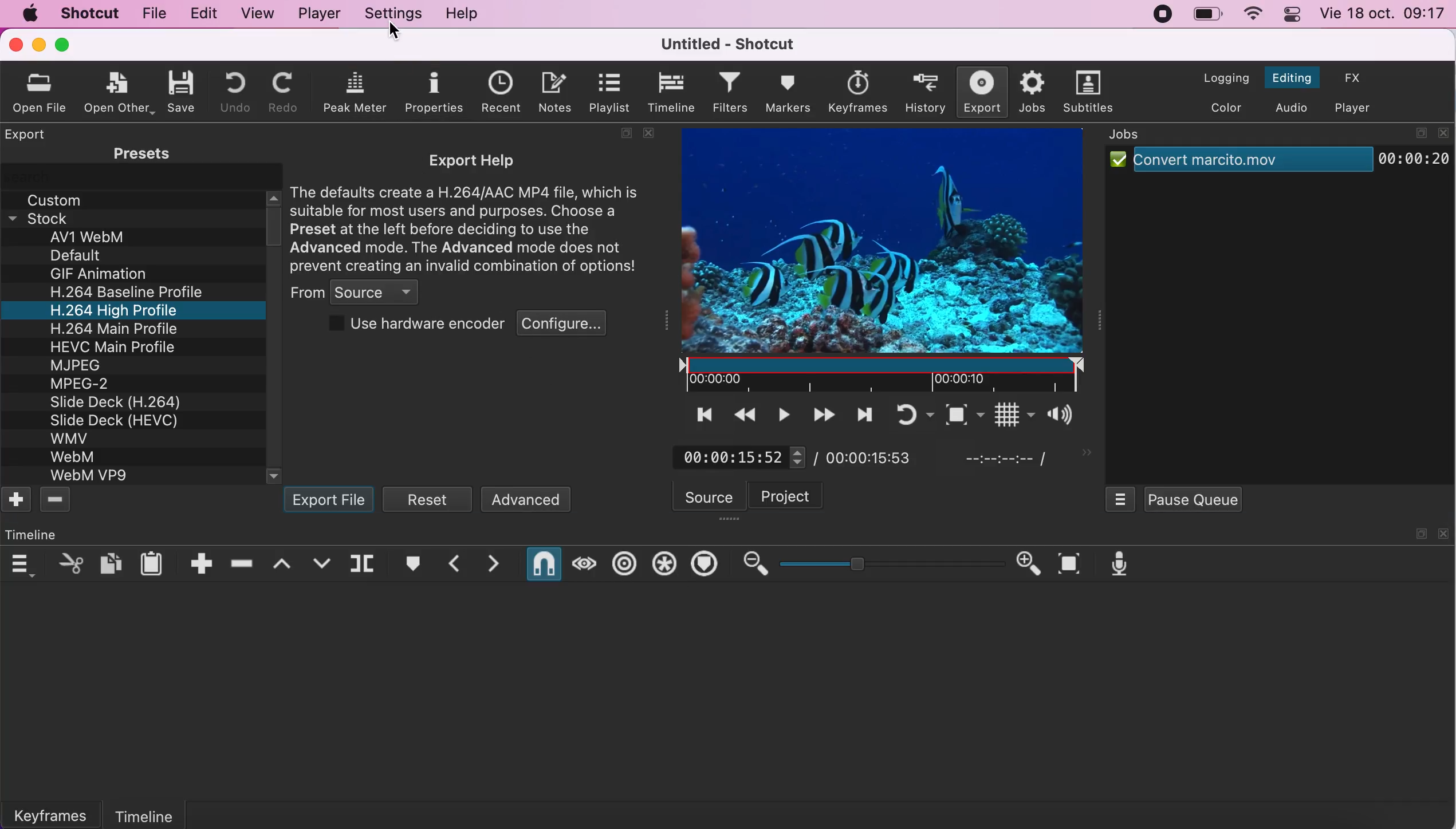 Image resolution: width=1456 pixels, height=829 pixels. I want to click on snap, so click(541, 564).